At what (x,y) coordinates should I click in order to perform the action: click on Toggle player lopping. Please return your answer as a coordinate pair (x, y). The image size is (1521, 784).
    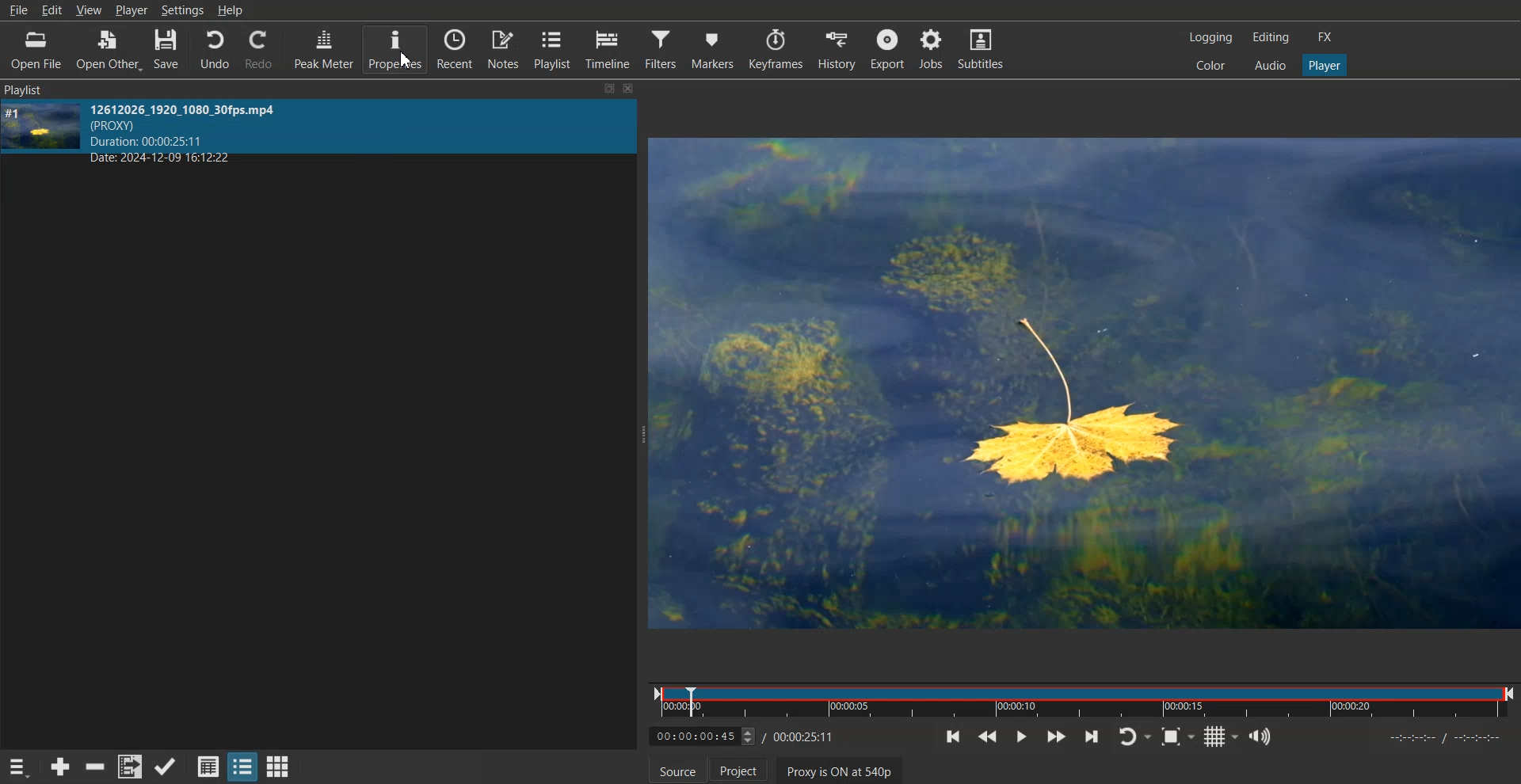
    Looking at the image, I should click on (1134, 736).